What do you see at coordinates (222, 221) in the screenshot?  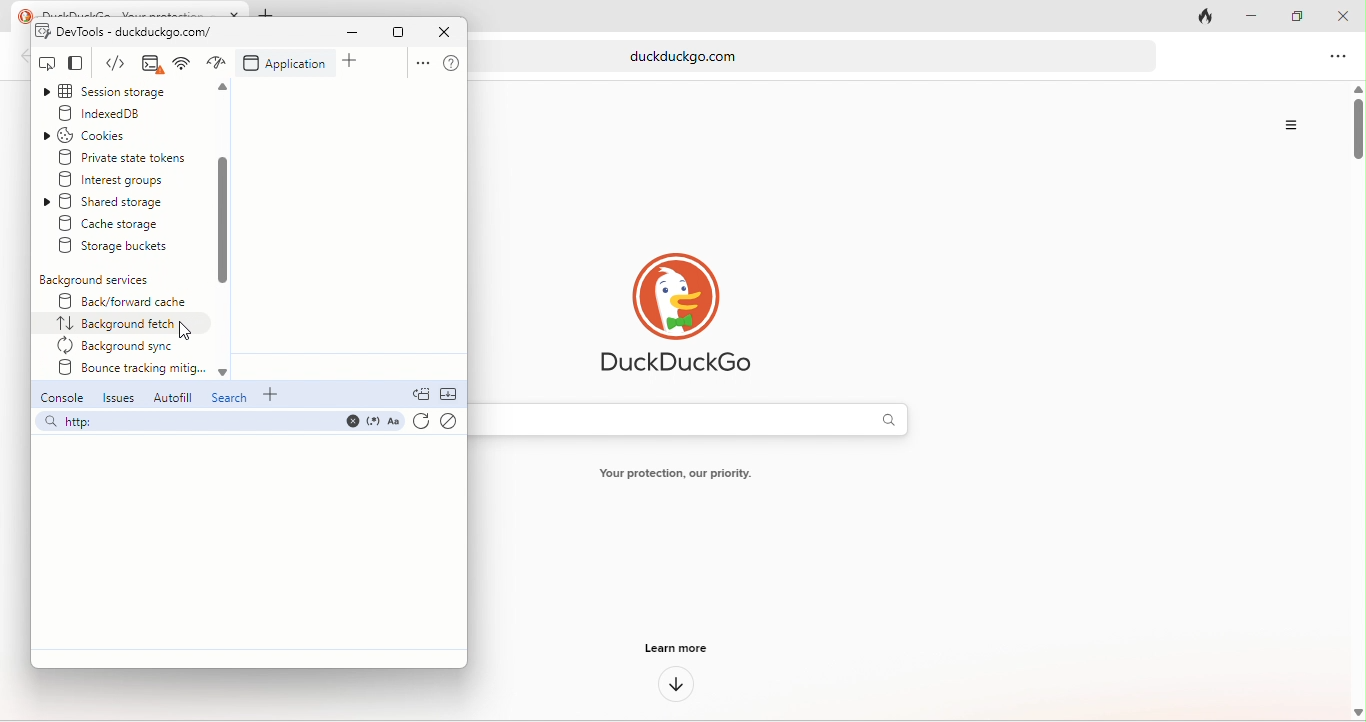 I see `scroll down` at bounding box center [222, 221].